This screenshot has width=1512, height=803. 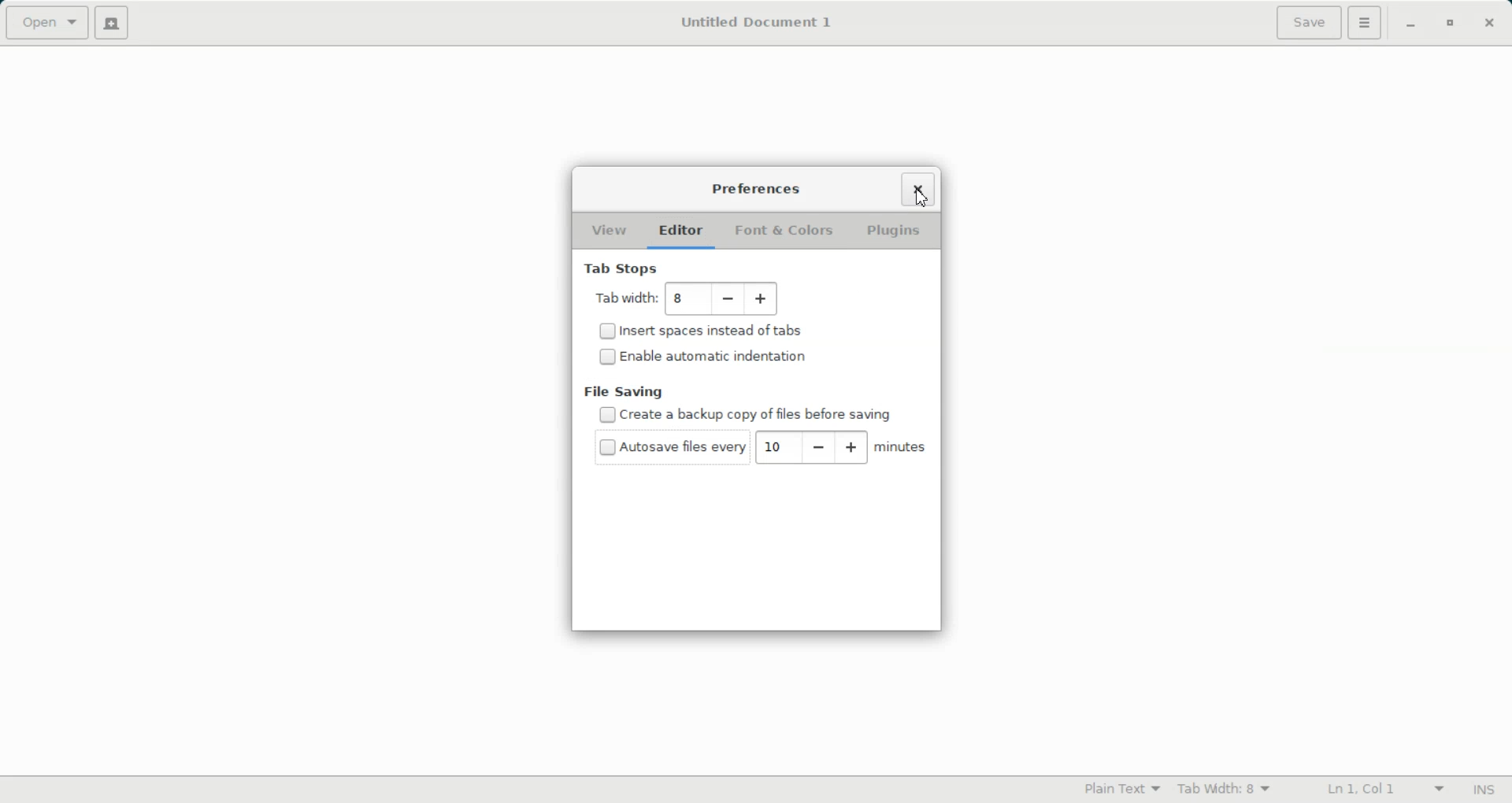 I want to click on Restore, so click(x=1450, y=24).